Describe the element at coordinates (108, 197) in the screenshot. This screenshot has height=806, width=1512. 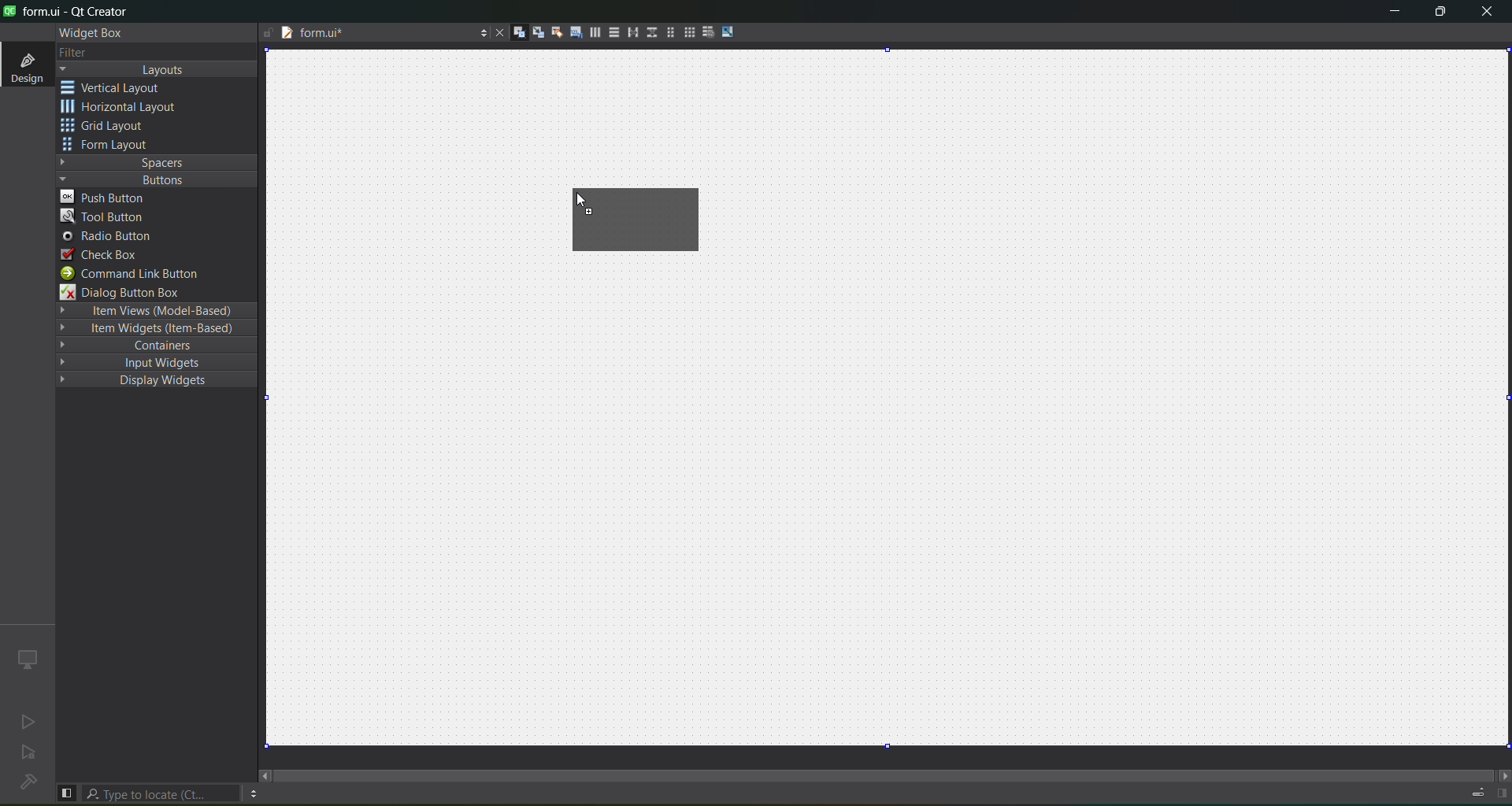
I see `push` at that location.